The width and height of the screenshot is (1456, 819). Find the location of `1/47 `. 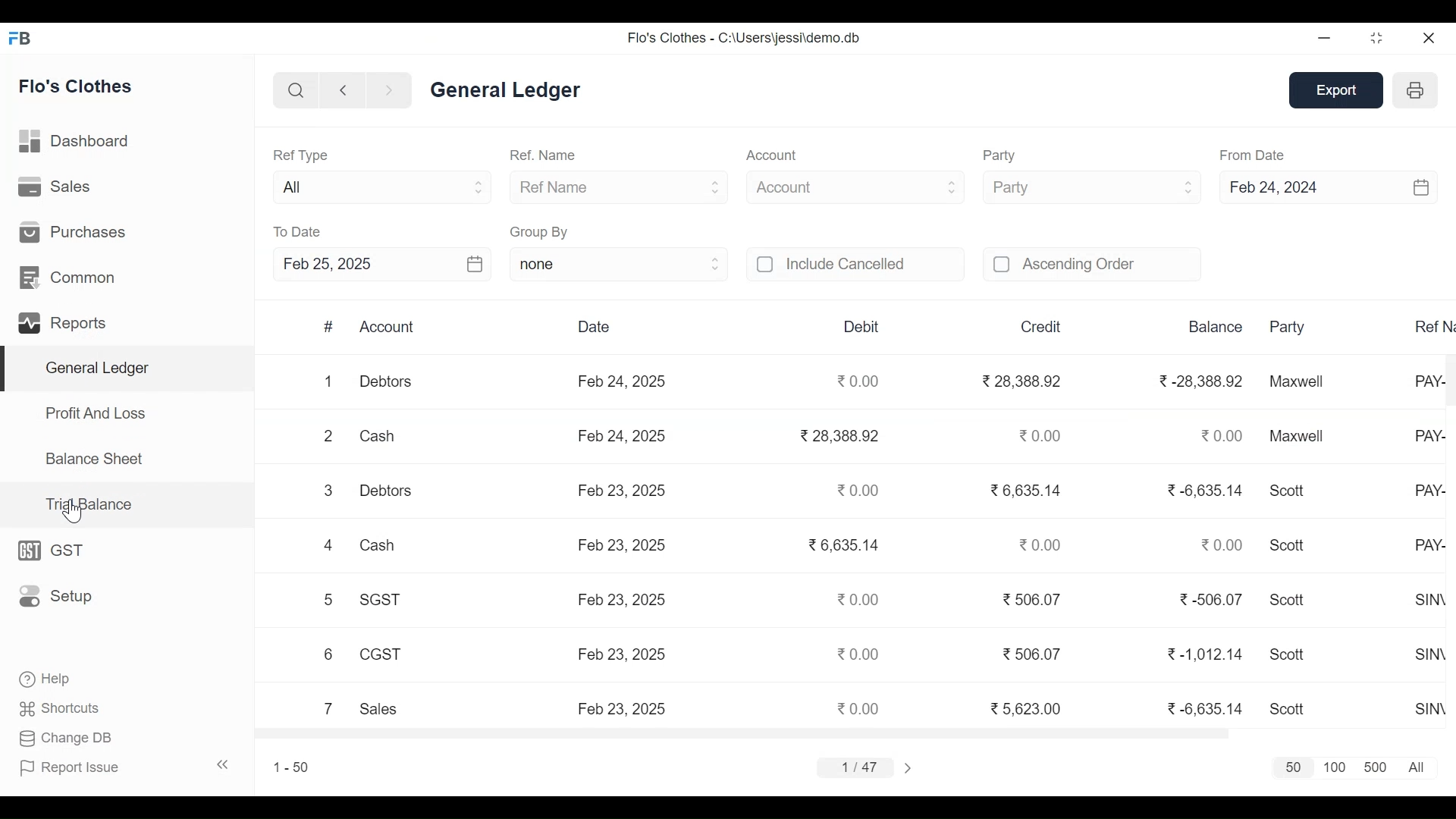

1/47  is located at coordinates (857, 767).